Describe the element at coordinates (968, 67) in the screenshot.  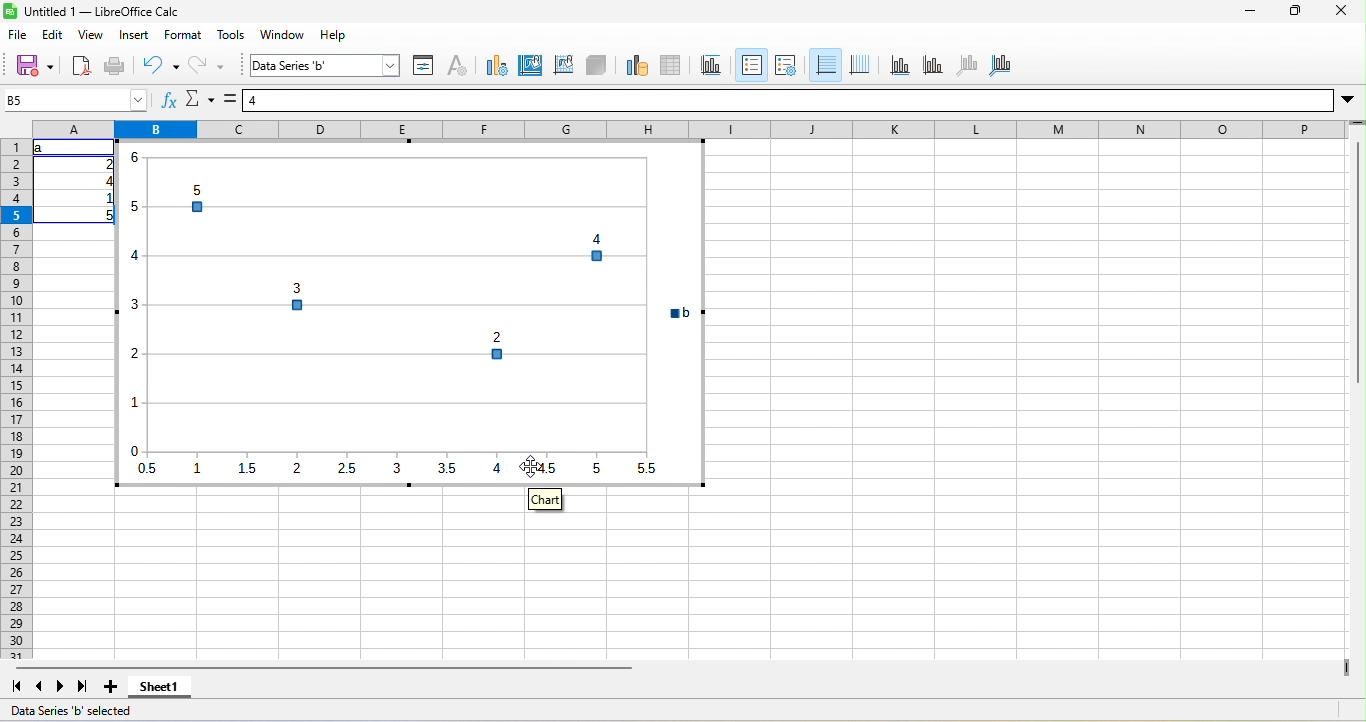
I see `z axis` at that location.